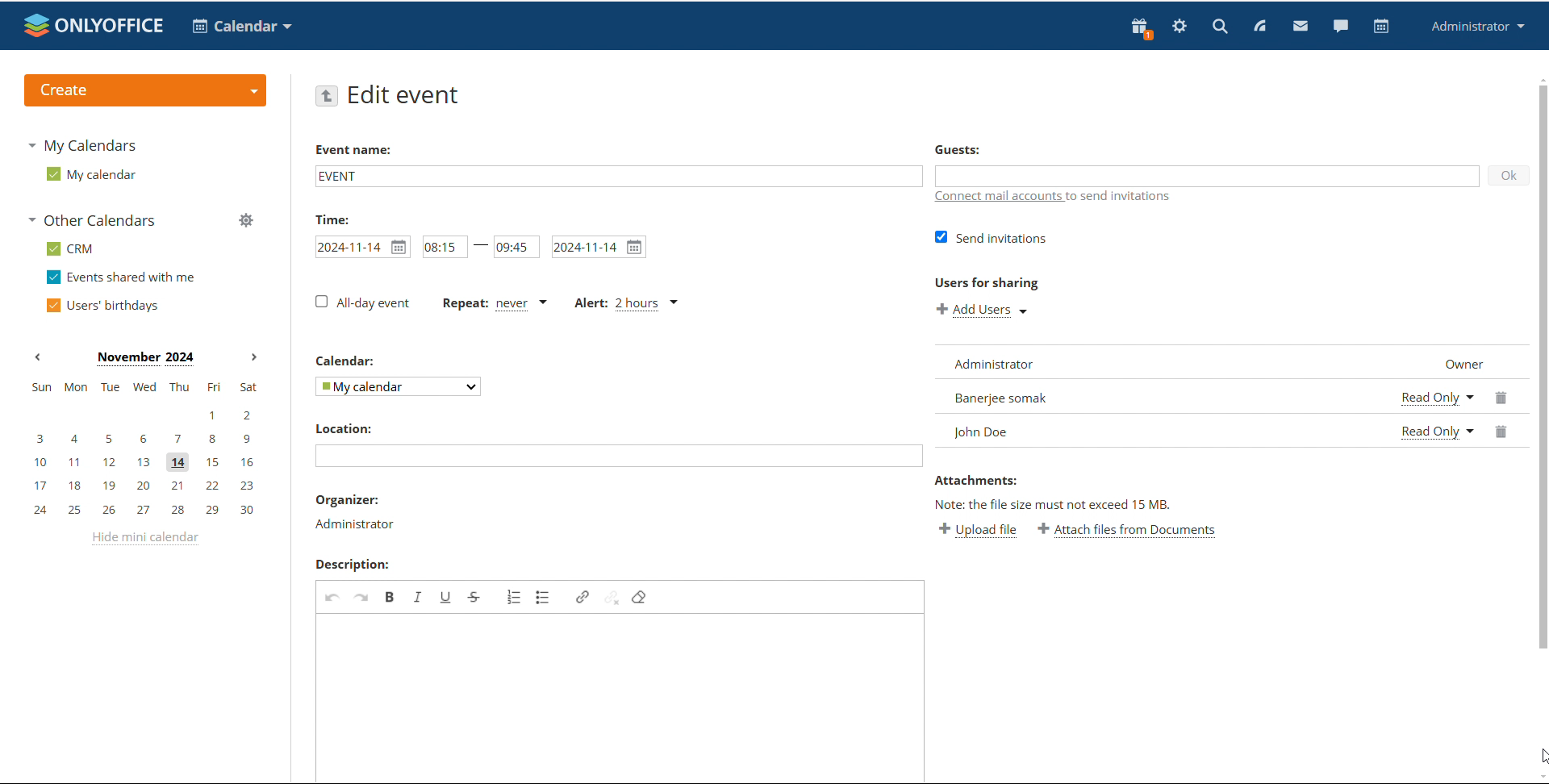 This screenshot has height=784, width=1549. Describe the element at coordinates (408, 96) in the screenshot. I see `edit event` at that location.